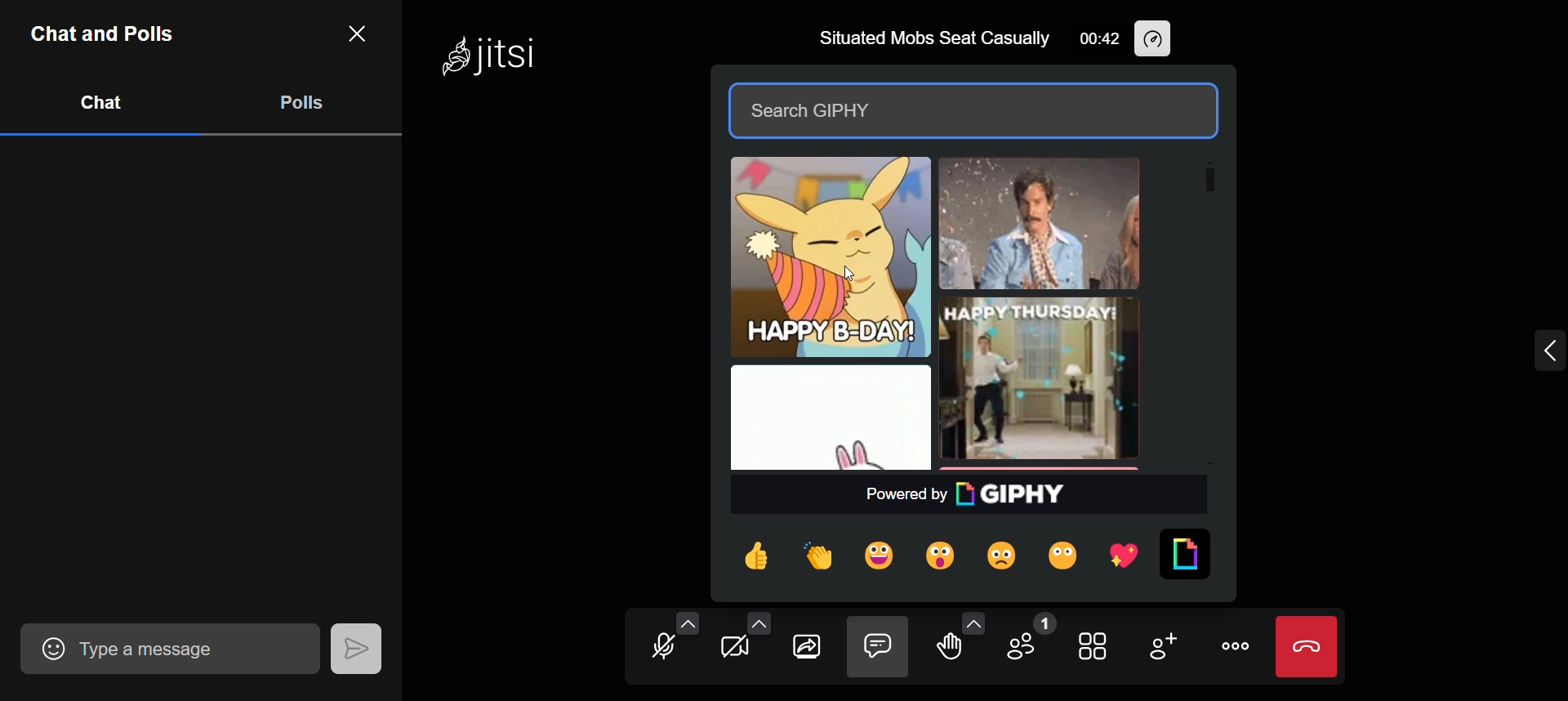  What do you see at coordinates (753, 554) in the screenshot?
I see `thumb reactions` at bounding box center [753, 554].